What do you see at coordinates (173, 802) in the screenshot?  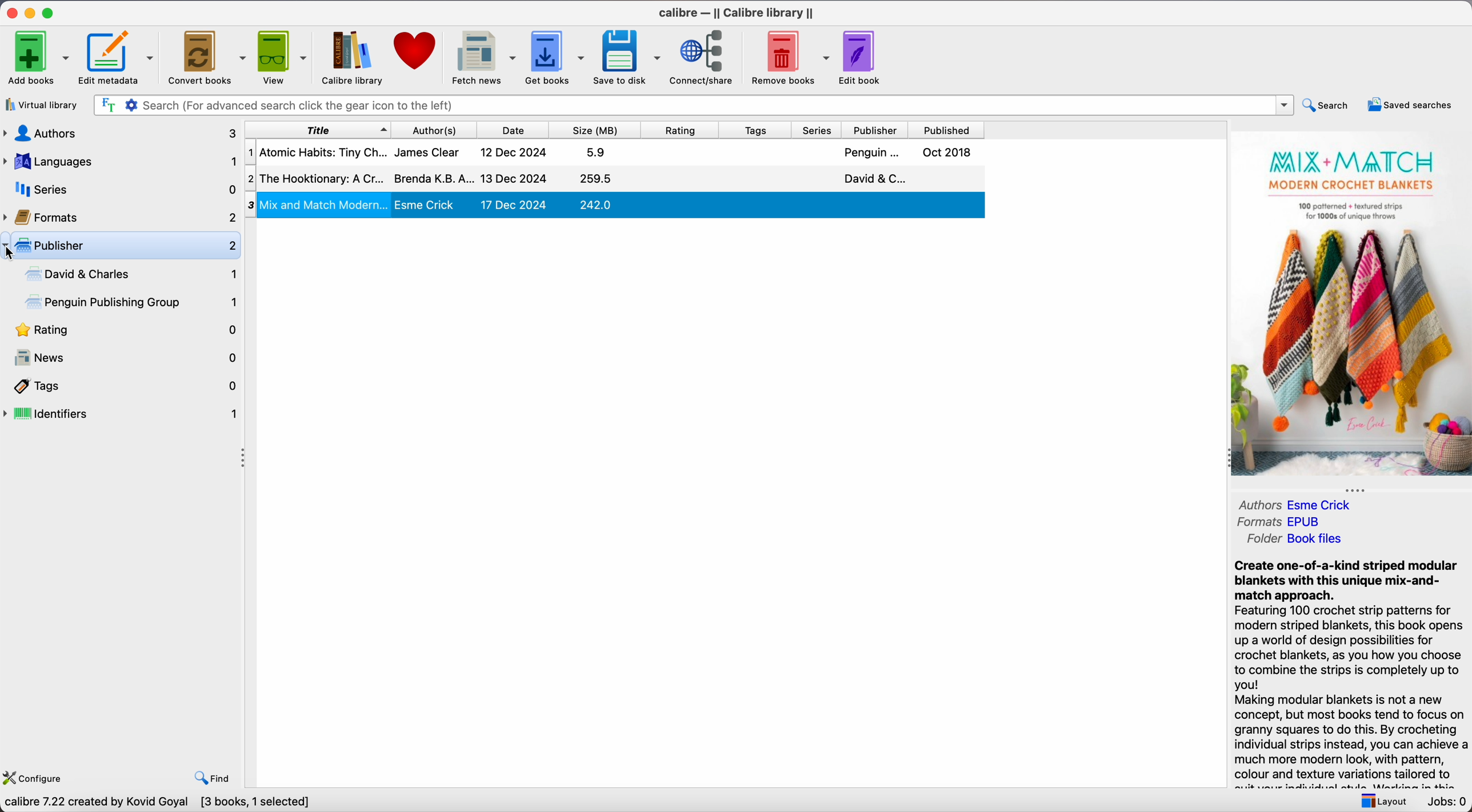 I see `calibre 7.22 created by Kovid Goyal [1 of 3 books, 1 selected]` at bounding box center [173, 802].